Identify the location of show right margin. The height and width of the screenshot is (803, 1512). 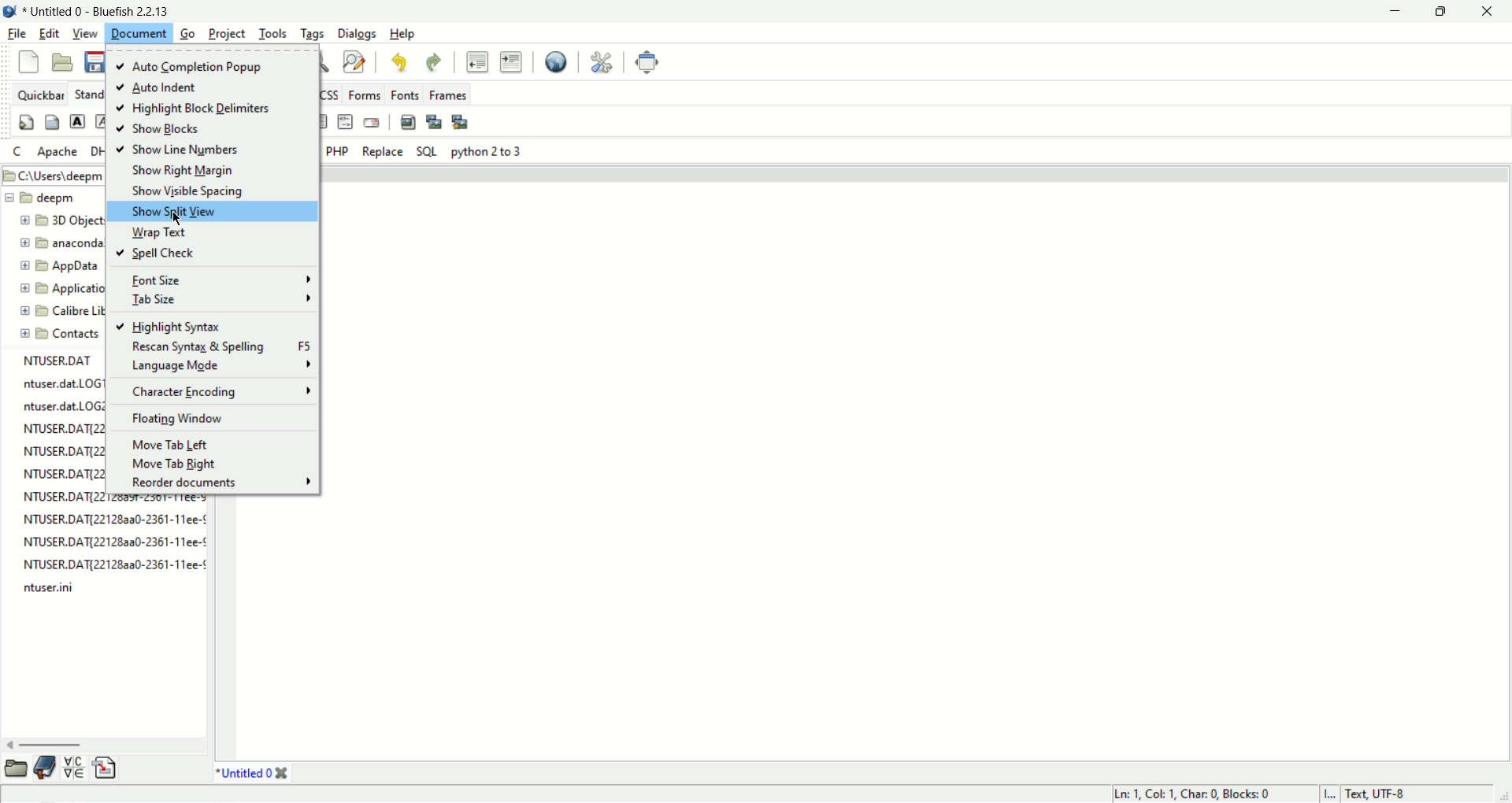
(183, 172).